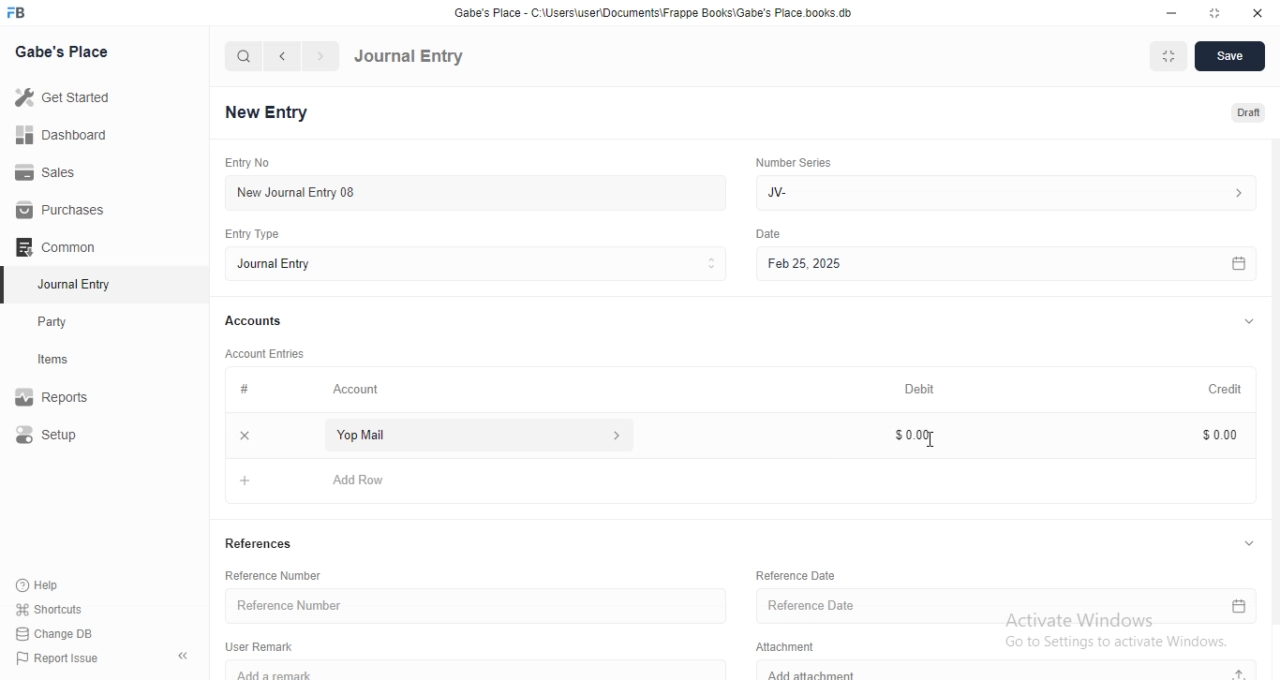  What do you see at coordinates (768, 234) in the screenshot?
I see `` at bounding box center [768, 234].